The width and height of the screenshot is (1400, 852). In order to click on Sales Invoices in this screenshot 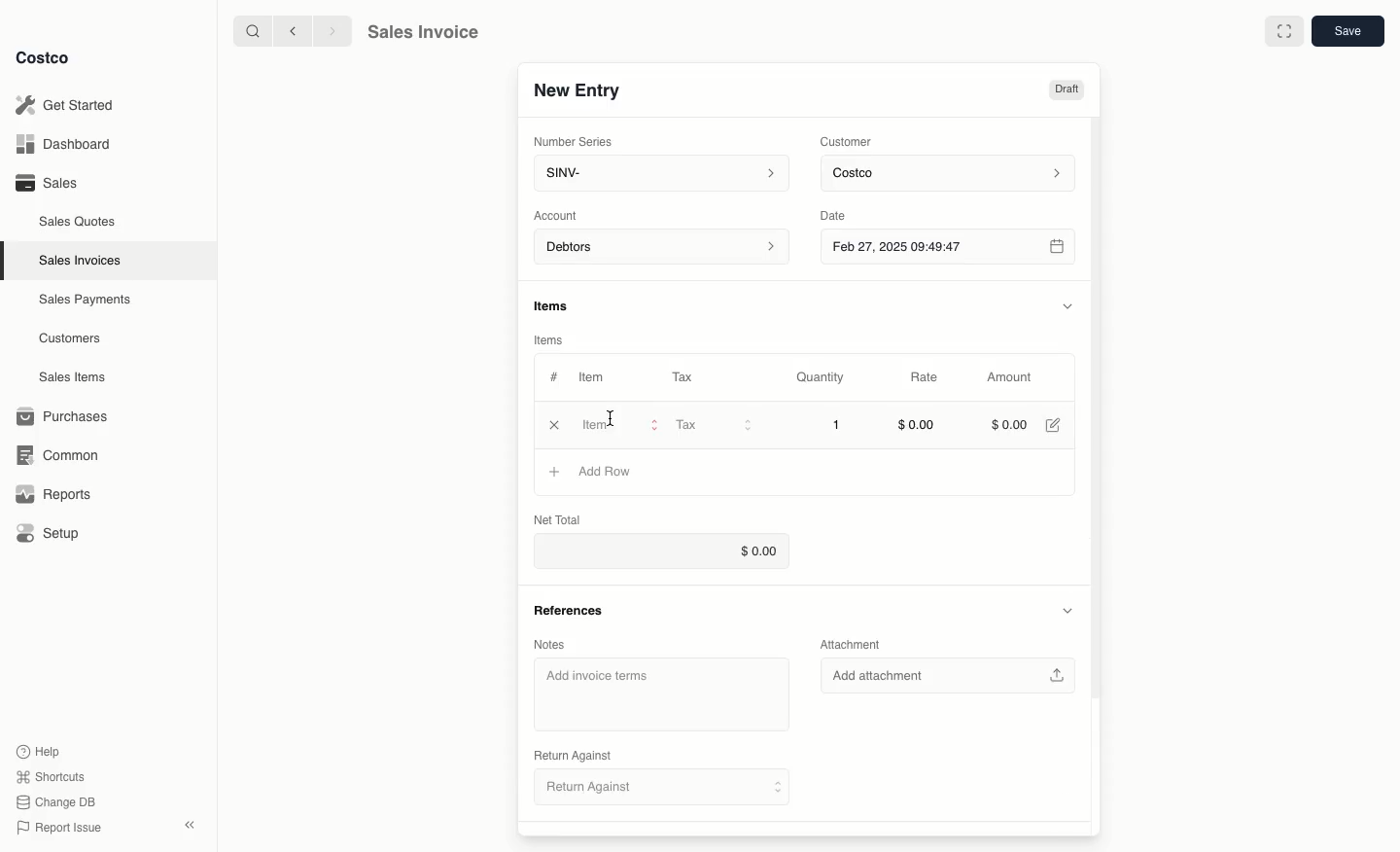, I will do `click(83, 260)`.